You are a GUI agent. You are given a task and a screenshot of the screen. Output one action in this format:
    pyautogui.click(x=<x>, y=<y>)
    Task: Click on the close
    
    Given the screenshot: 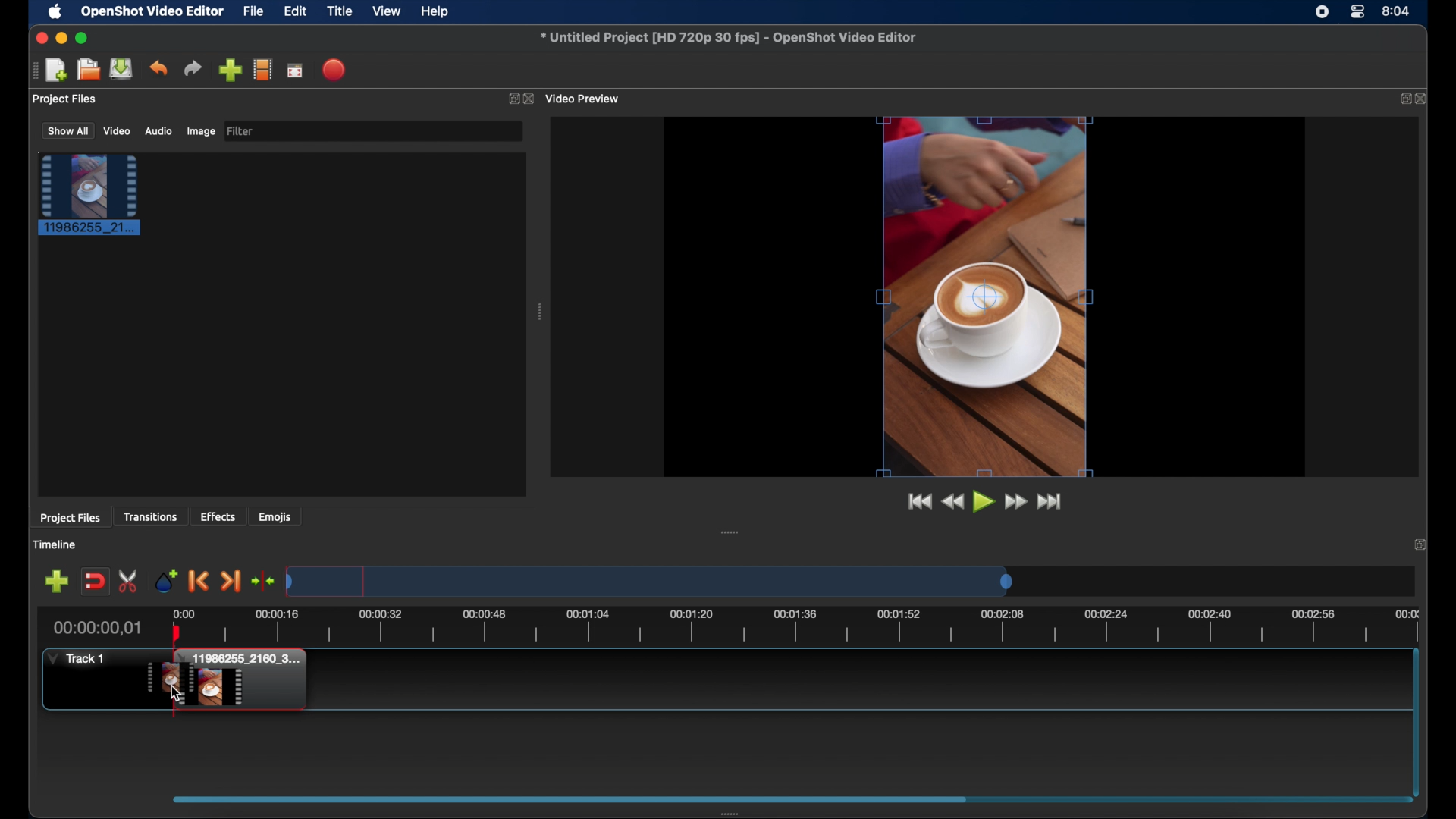 What is the action you would take?
    pyautogui.click(x=529, y=99)
    